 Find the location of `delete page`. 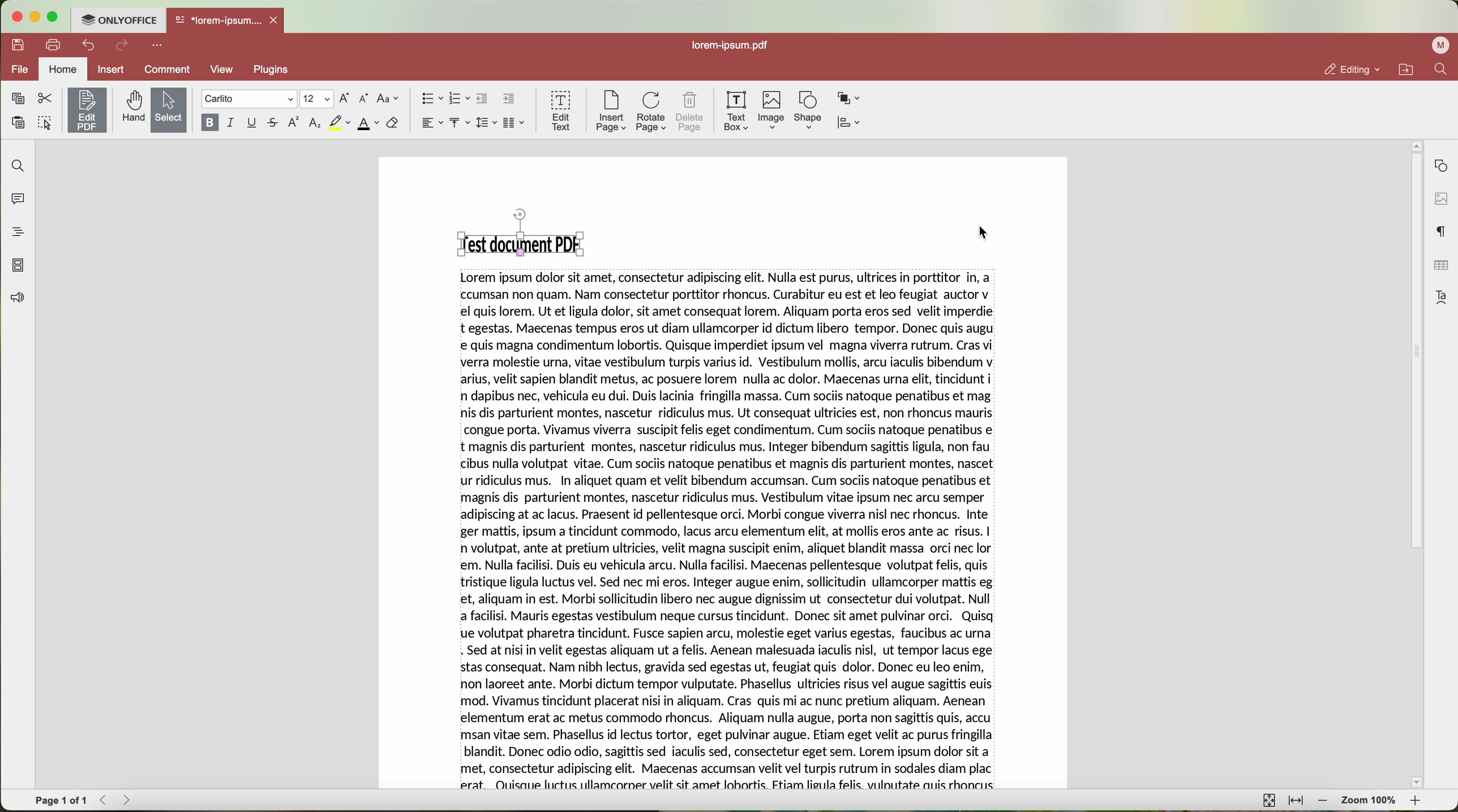

delete page is located at coordinates (690, 111).